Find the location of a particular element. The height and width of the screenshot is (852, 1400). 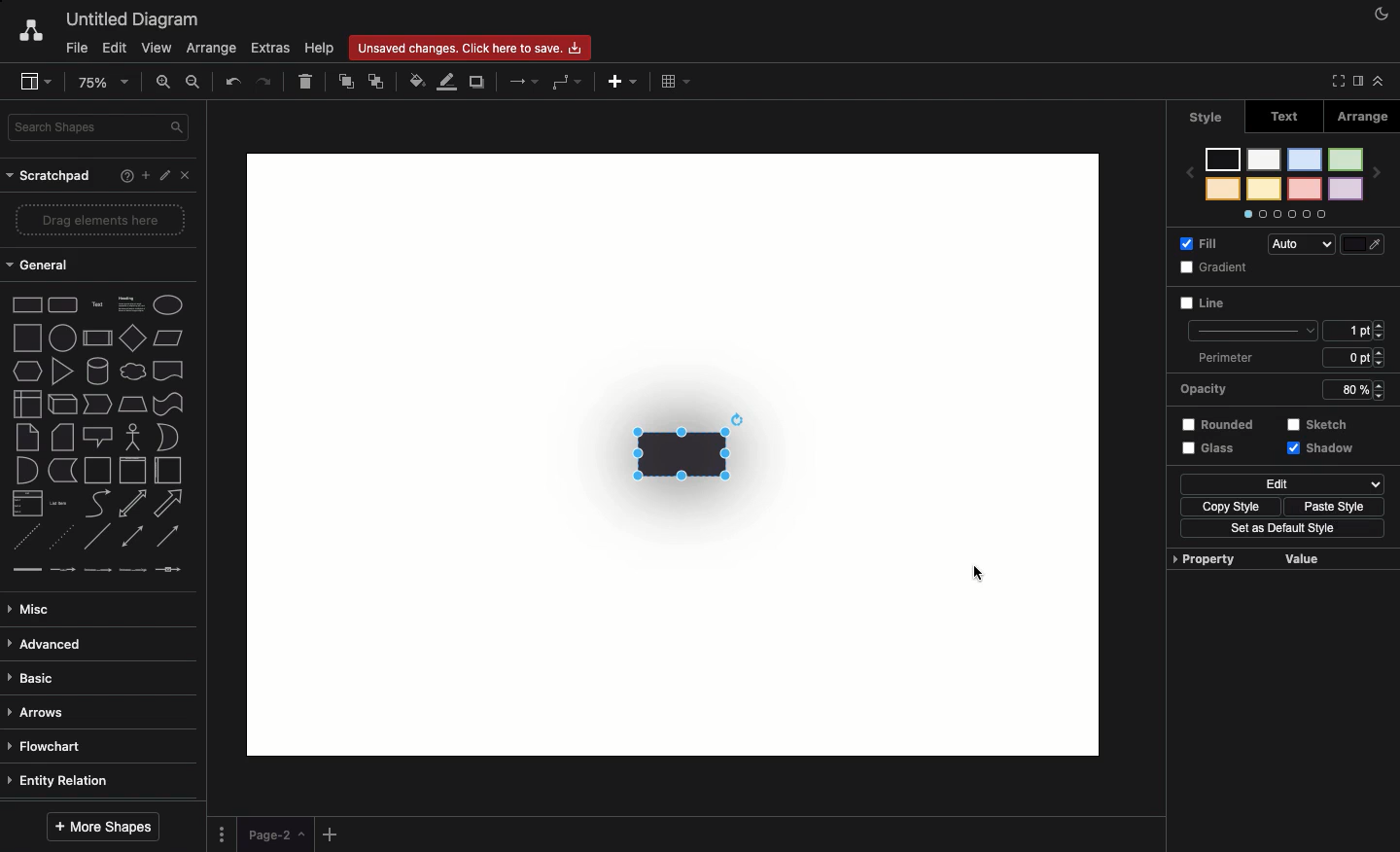

Text is located at coordinates (98, 305).